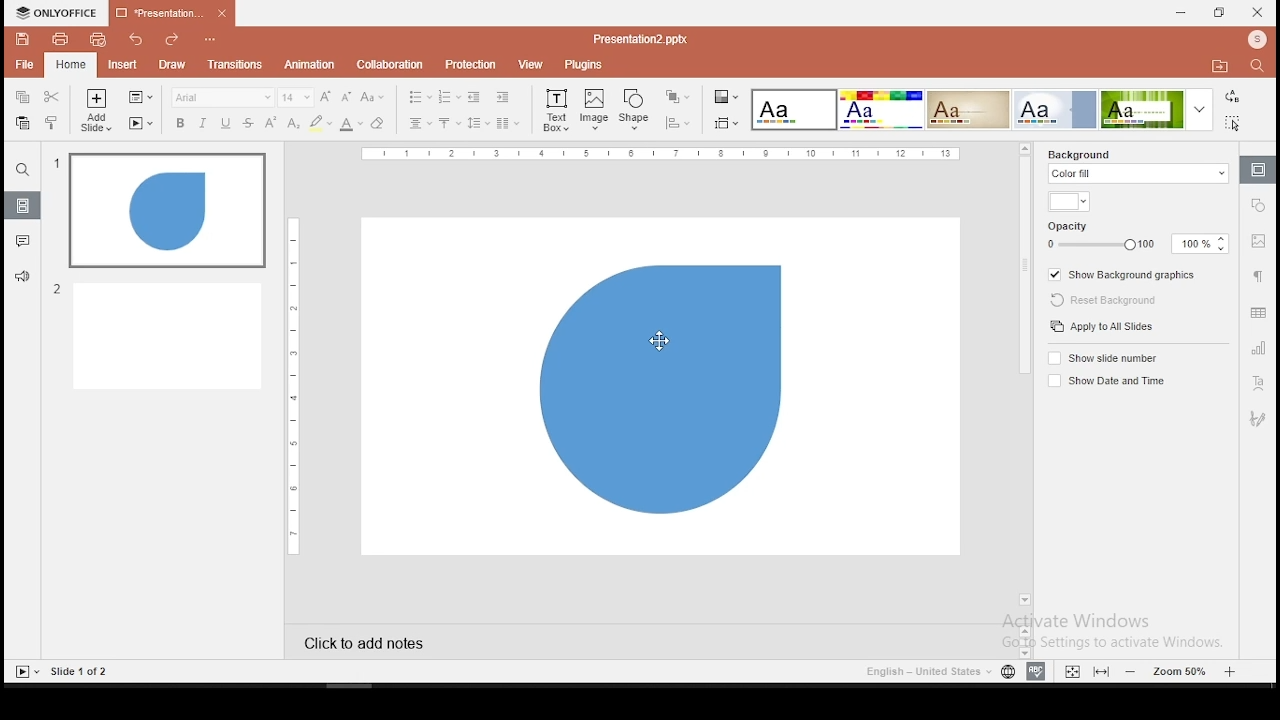 This screenshot has height=720, width=1280. I want to click on mouse pointer, so click(660, 340).